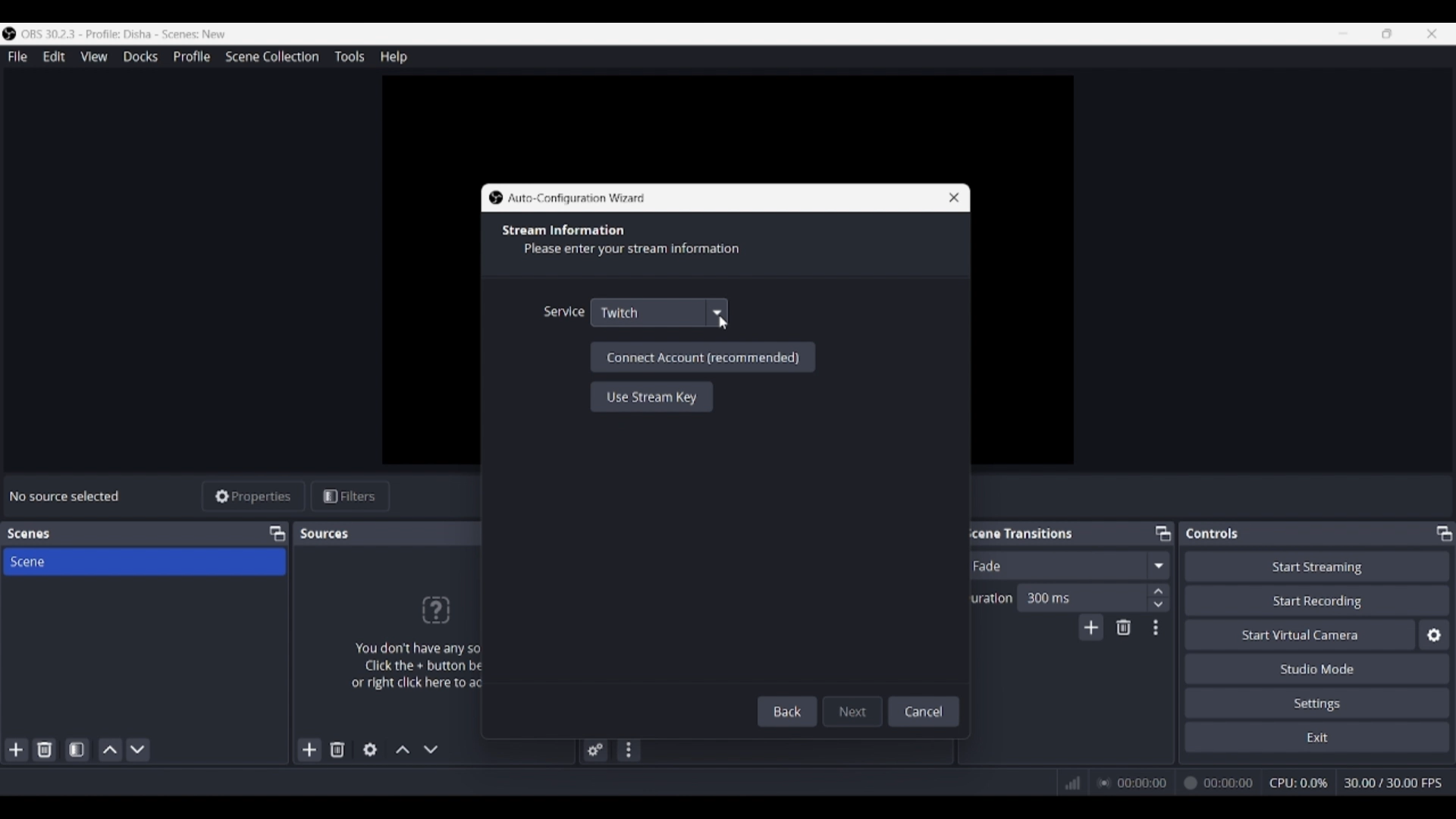 Image resolution: width=1456 pixels, height=819 pixels. I want to click on Configure virtual camera, so click(1434, 635).